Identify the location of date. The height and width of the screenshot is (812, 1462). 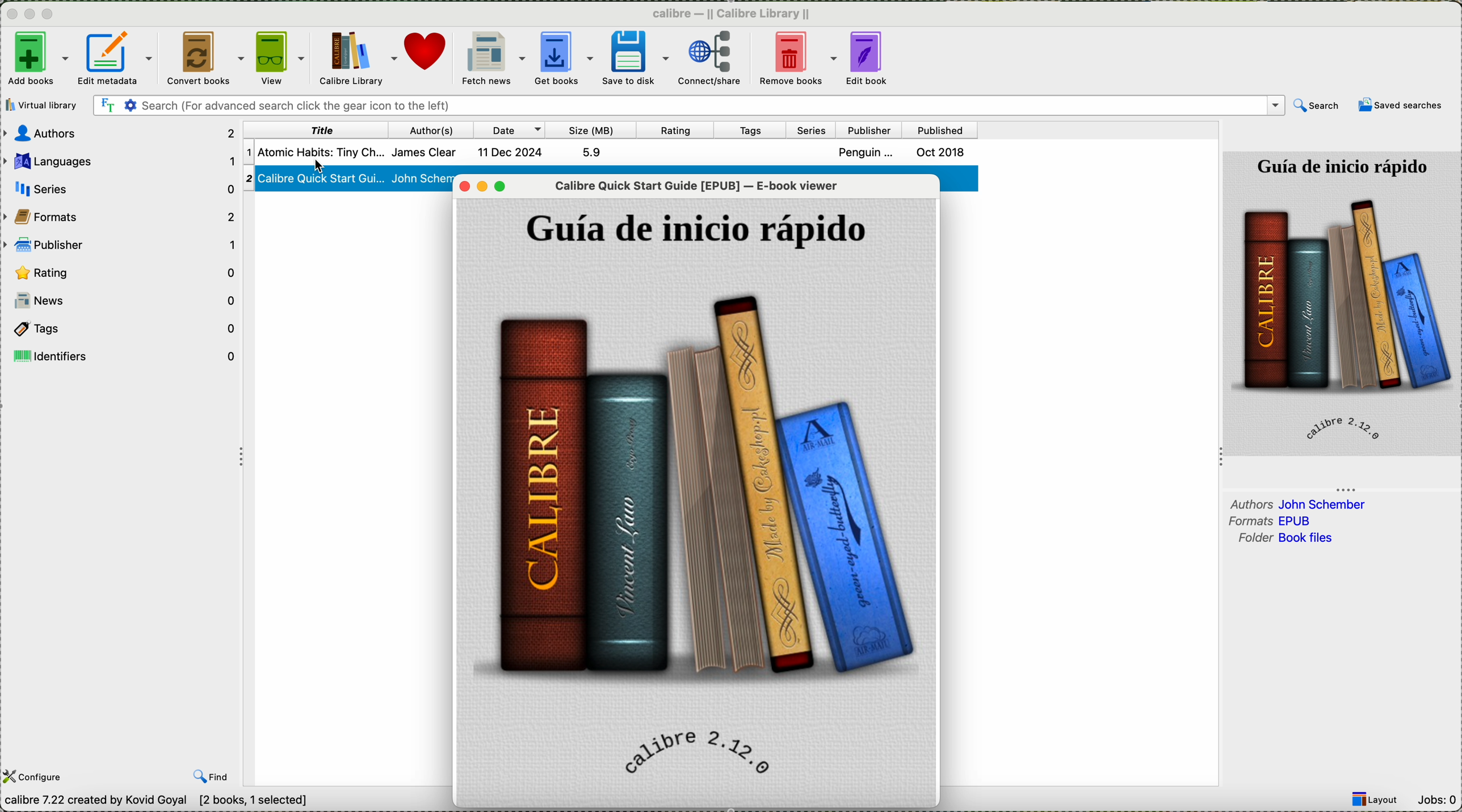
(511, 131).